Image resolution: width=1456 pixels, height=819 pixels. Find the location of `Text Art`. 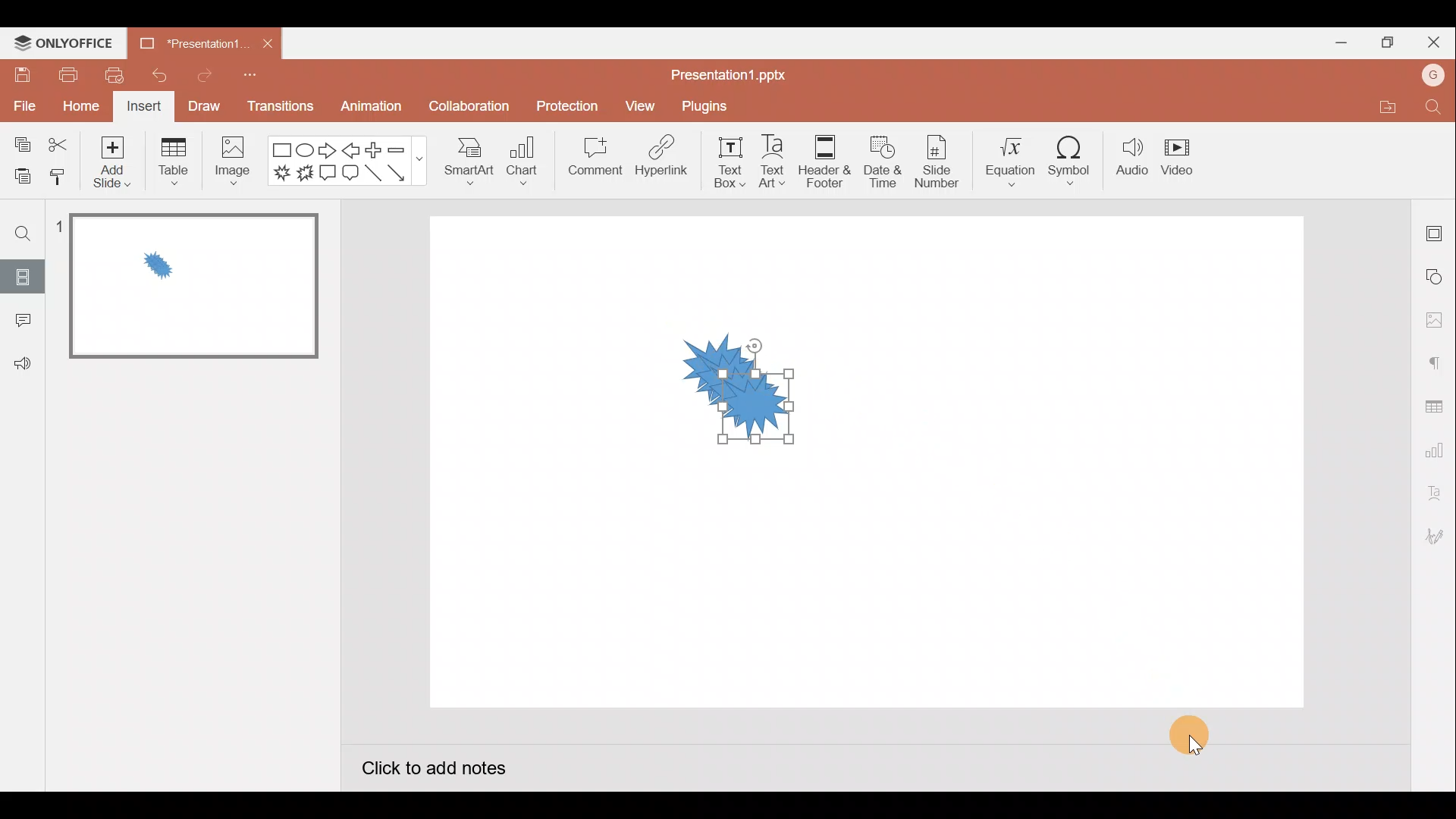

Text Art is located at coordinates (773, 162).